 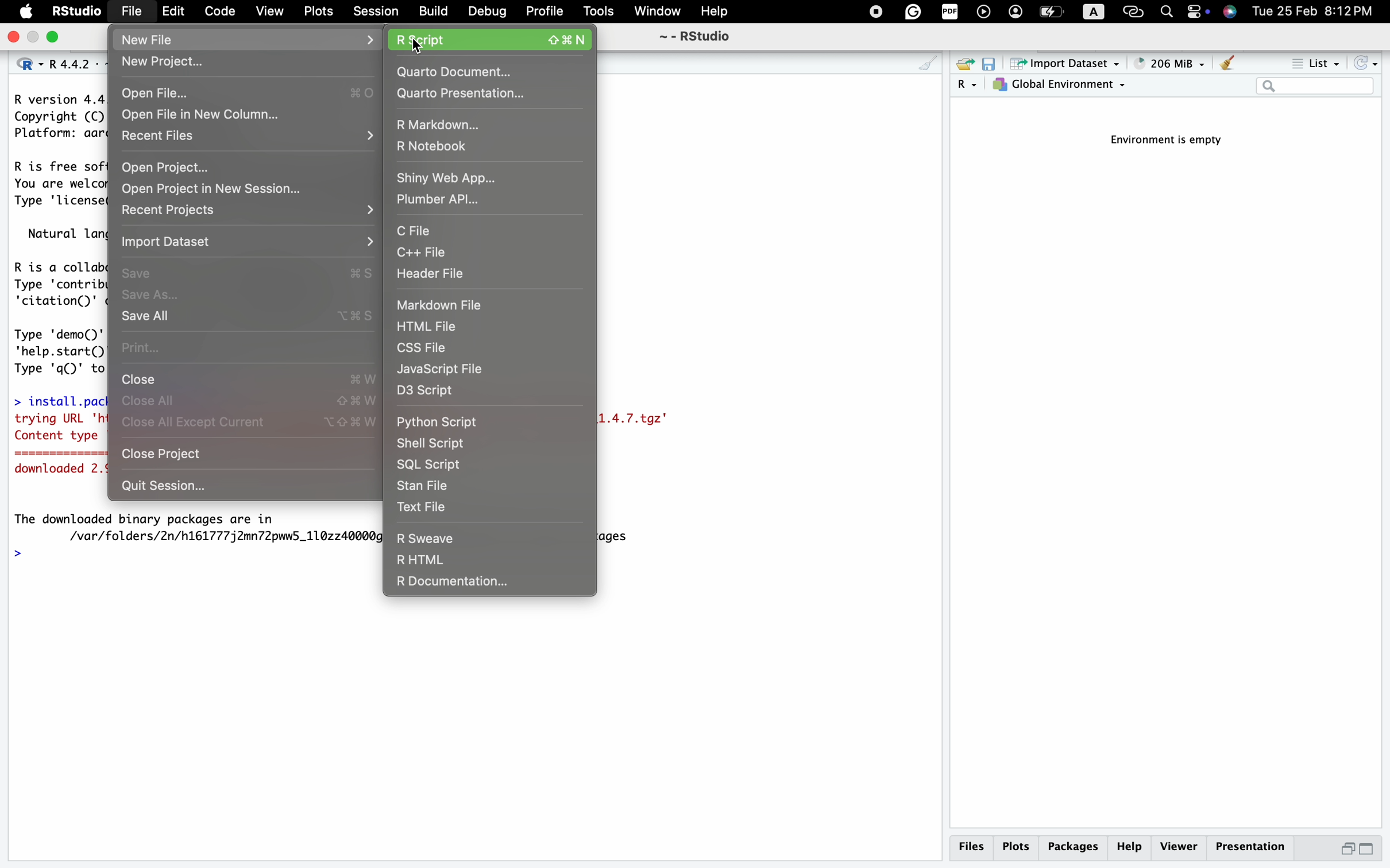 I want to click on maximize, so click(x=57, y=38).